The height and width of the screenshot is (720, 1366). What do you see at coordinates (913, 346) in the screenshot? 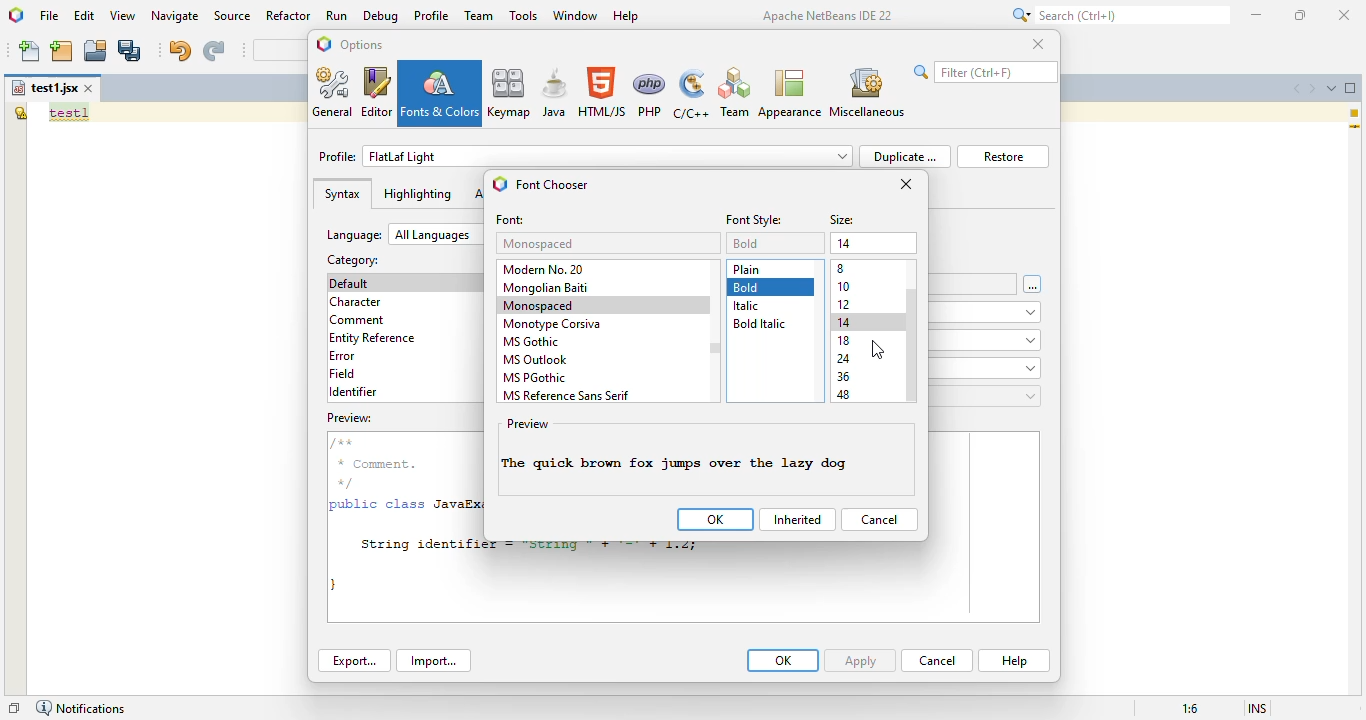
I see `vertical scroll bar` at bounding box center [913, 346].